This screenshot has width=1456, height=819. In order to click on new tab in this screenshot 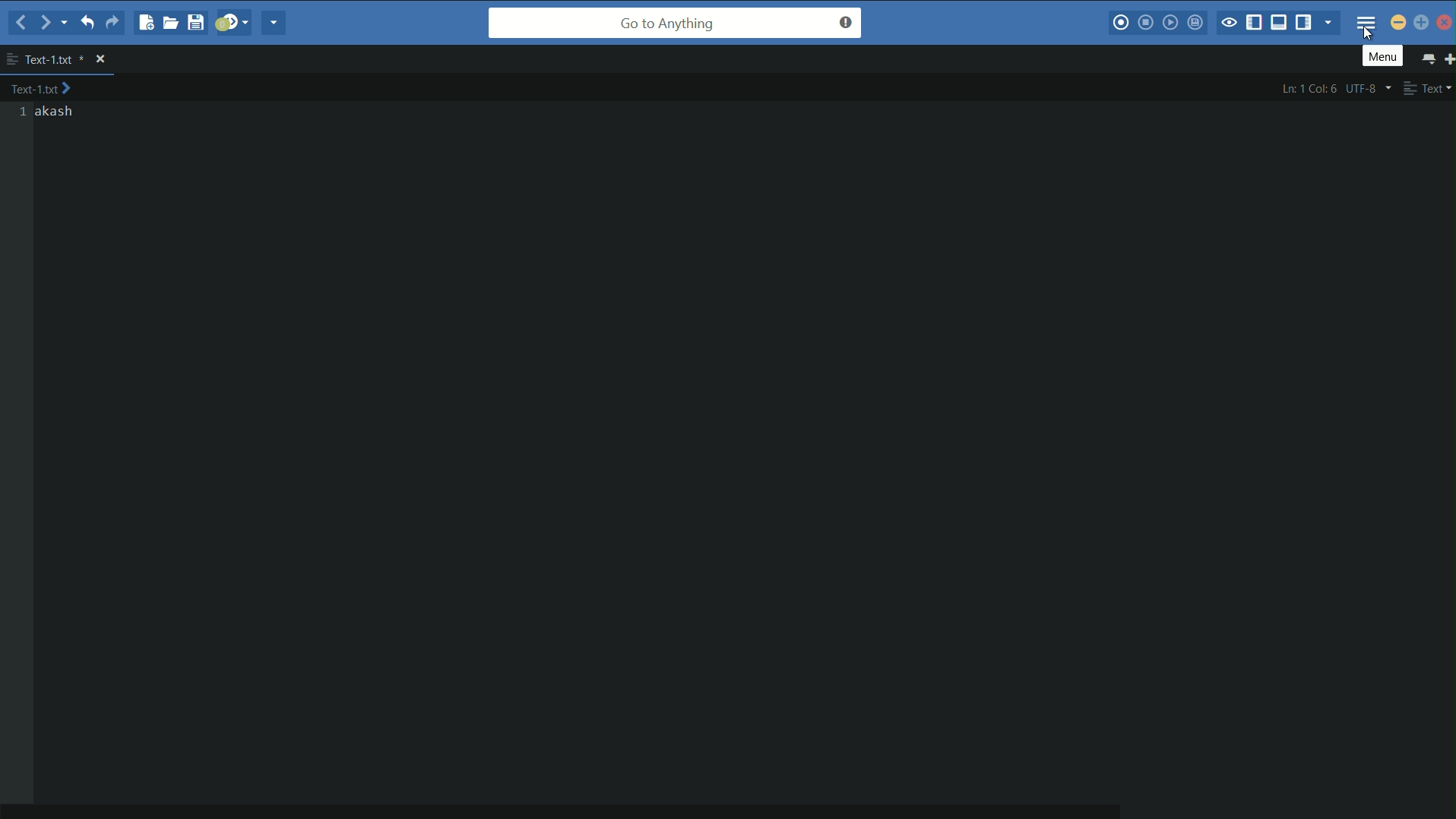, I will do `click(1447, 58)`.